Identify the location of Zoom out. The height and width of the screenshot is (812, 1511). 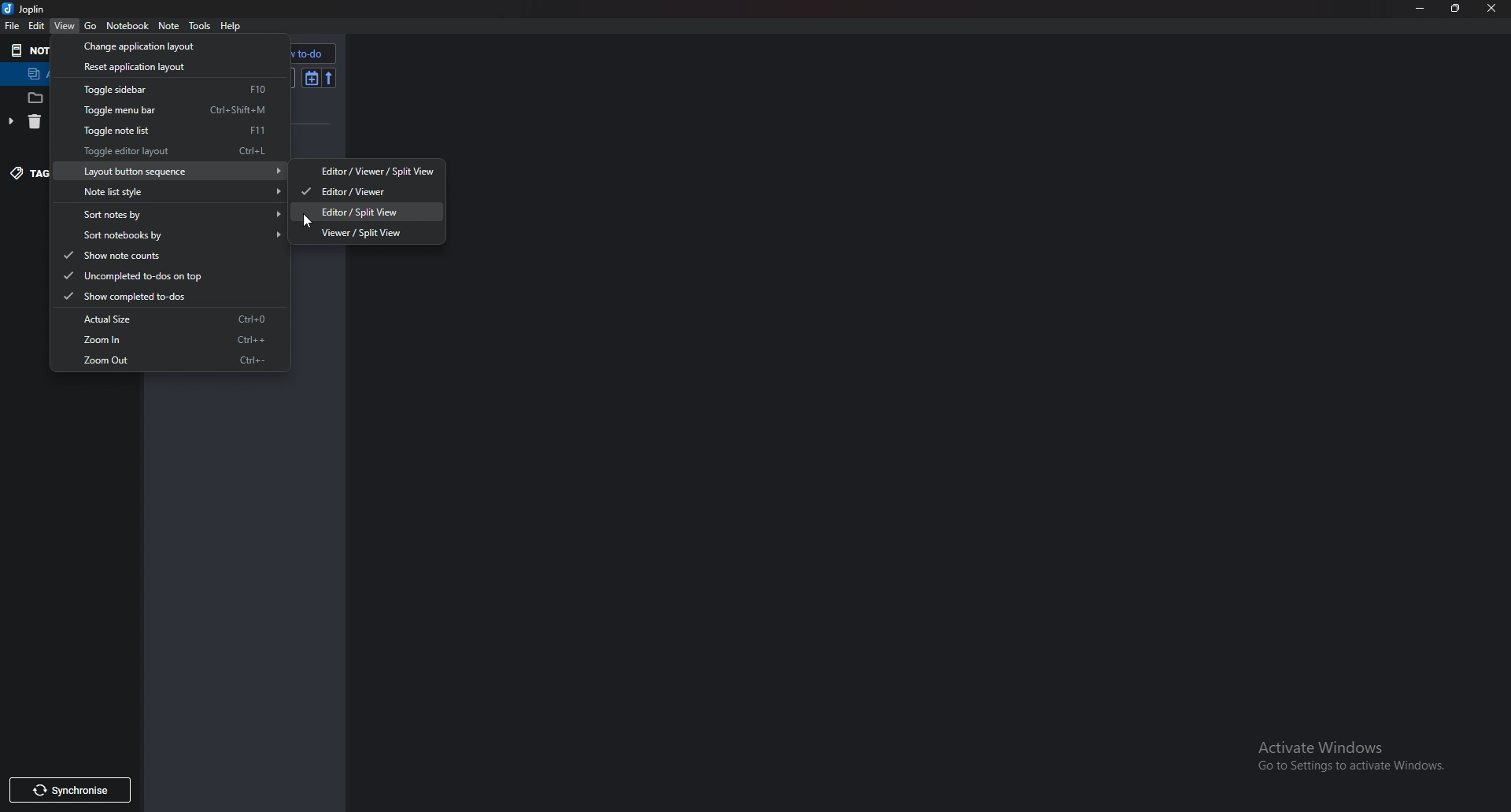
(174, 359).